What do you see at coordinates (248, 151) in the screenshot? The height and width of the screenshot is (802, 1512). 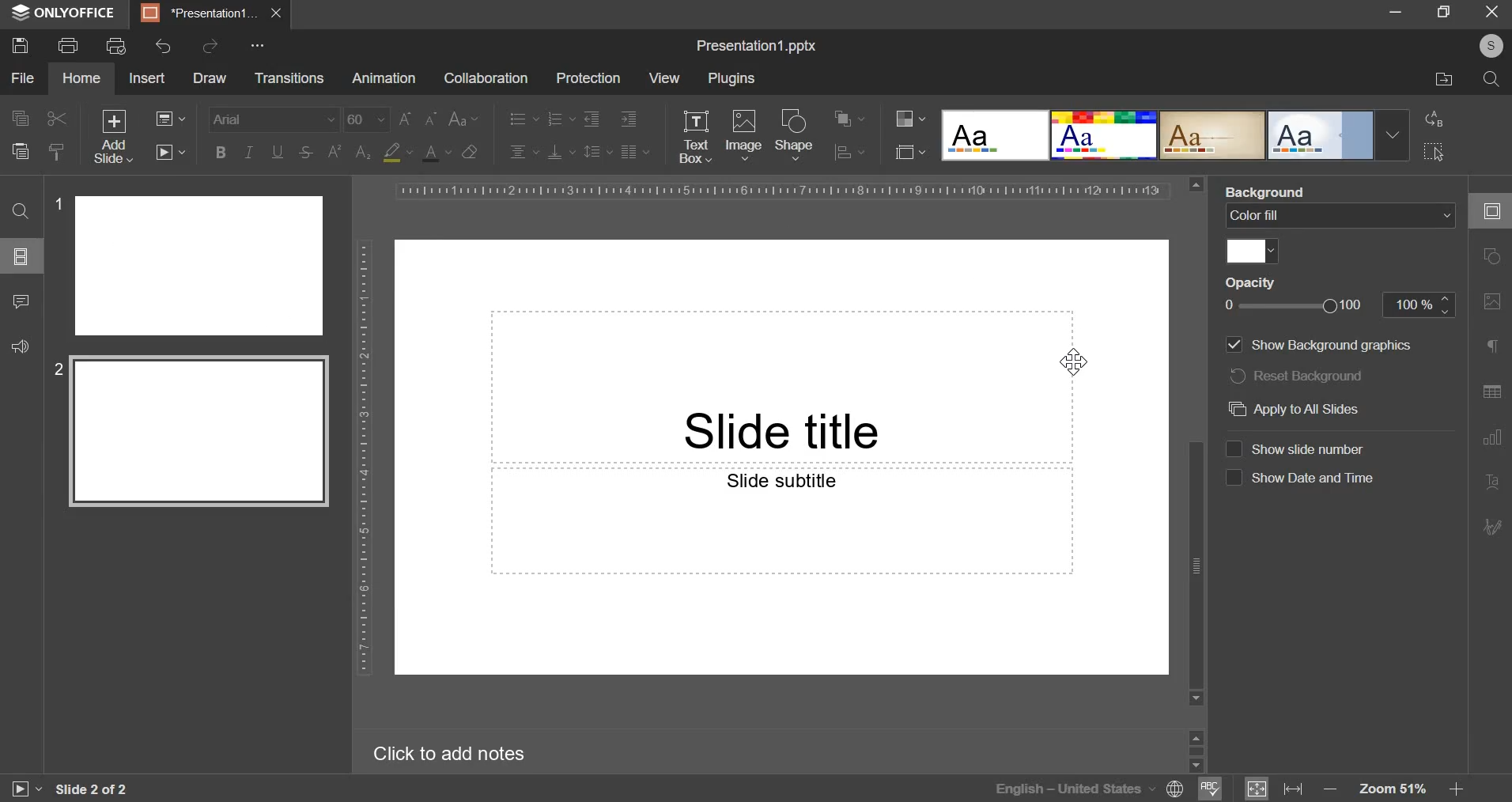 I see `italics` at bounding box center [248, 151].